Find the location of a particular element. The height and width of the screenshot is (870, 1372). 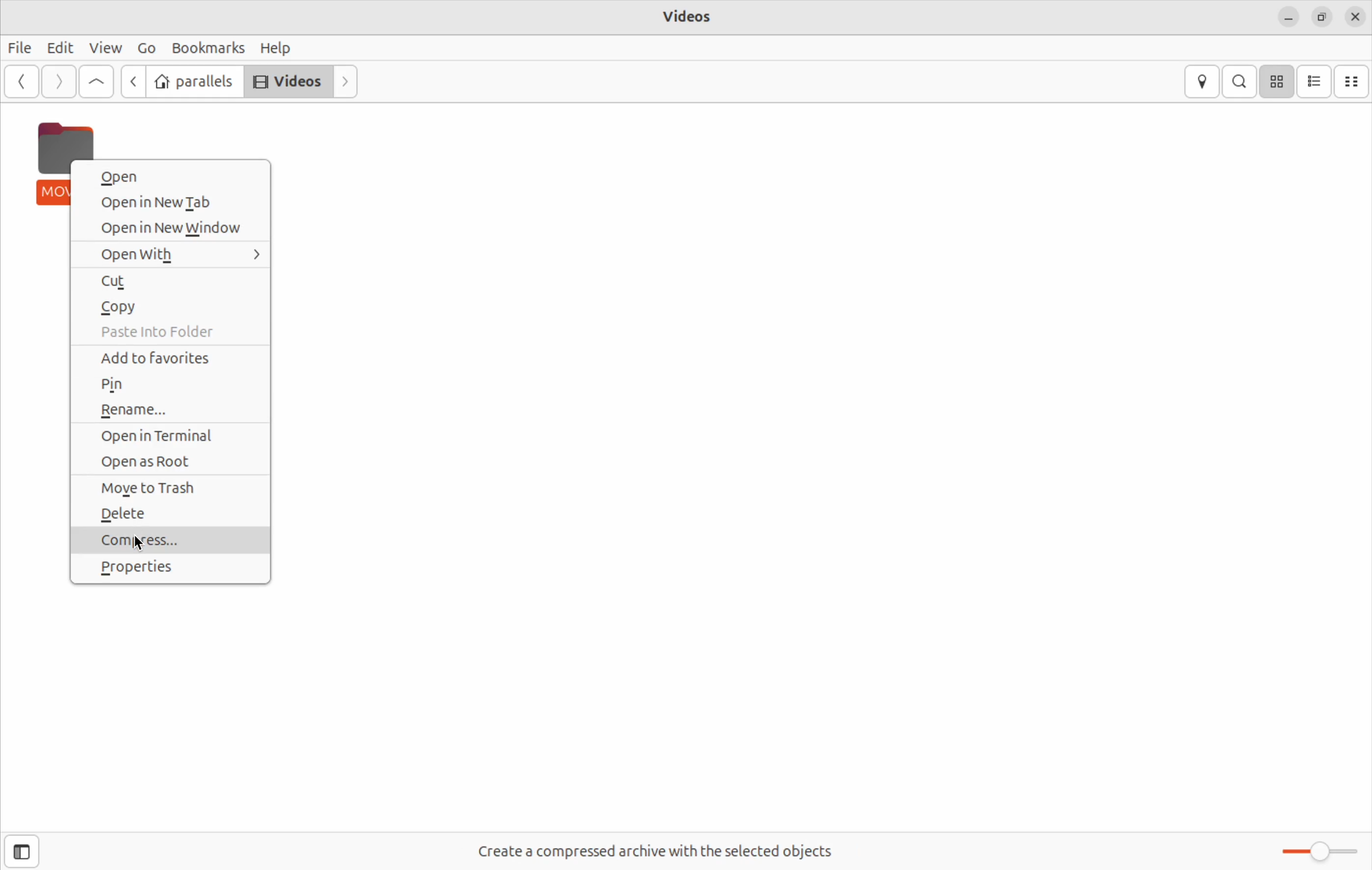

open in new tab is located at coordinates (174, 227).